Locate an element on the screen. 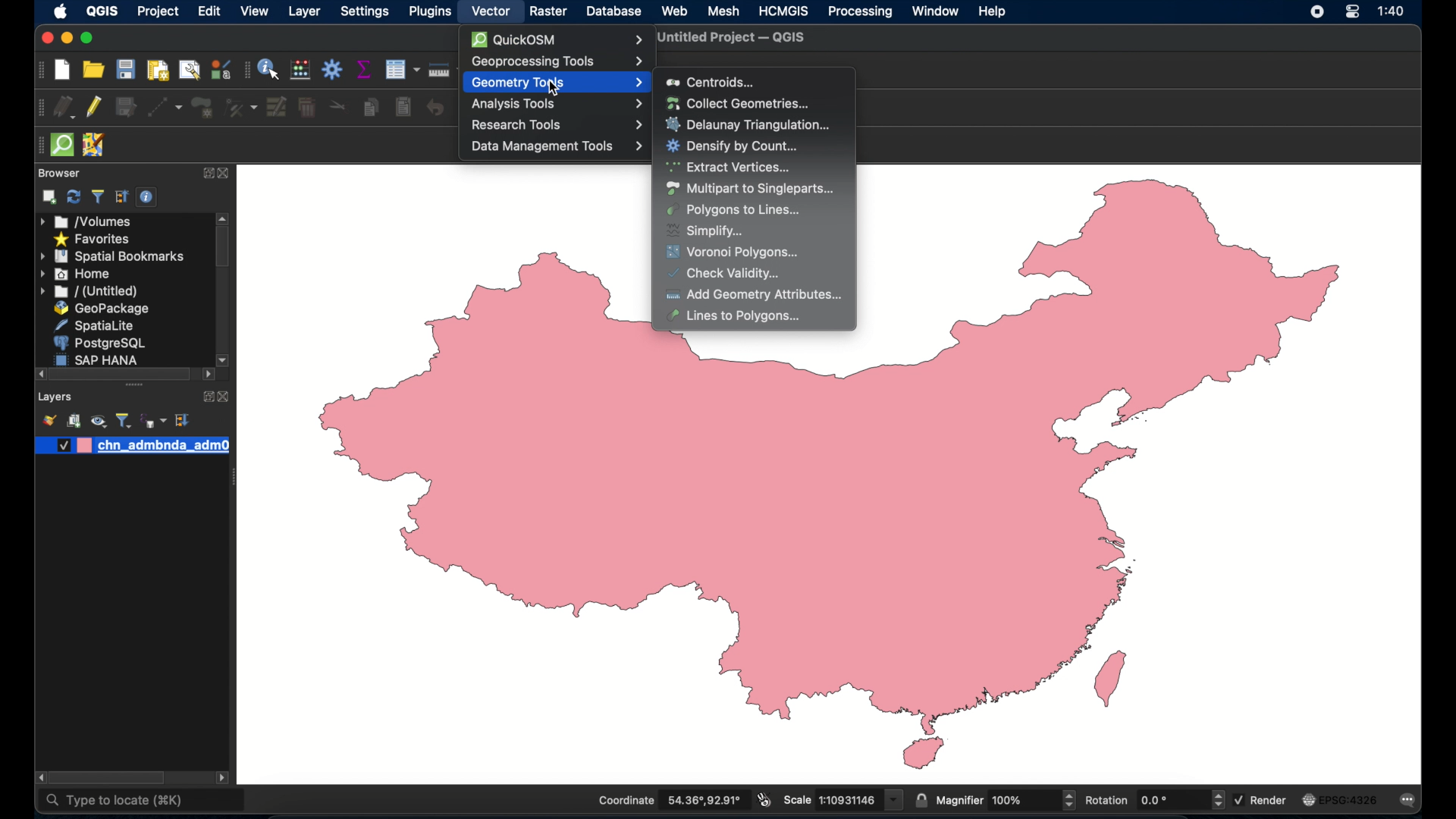  scrol lleft arrow is located at coordinates (207, 376).